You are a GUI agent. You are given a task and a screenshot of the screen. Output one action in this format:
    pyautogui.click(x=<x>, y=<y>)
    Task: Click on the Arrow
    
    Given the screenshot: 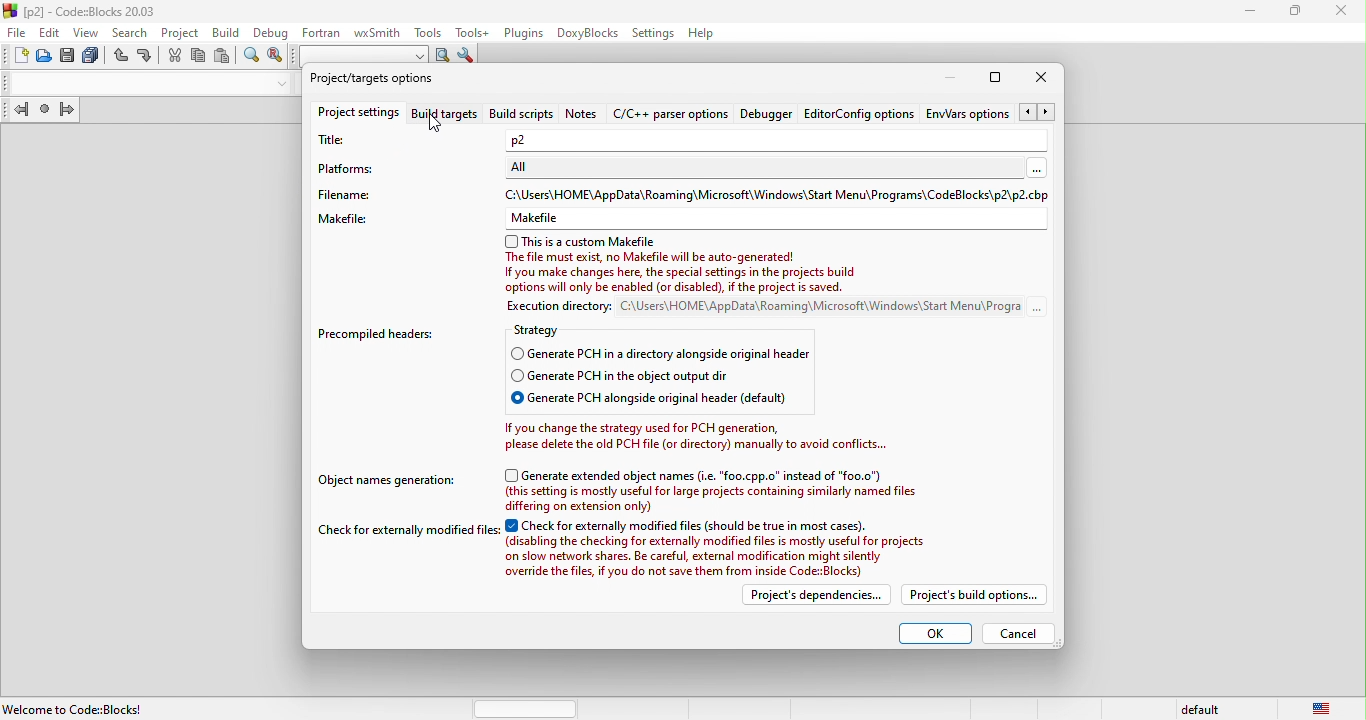 What is the action you would take?
    pyautogui.click(x=1041, y=114)
    